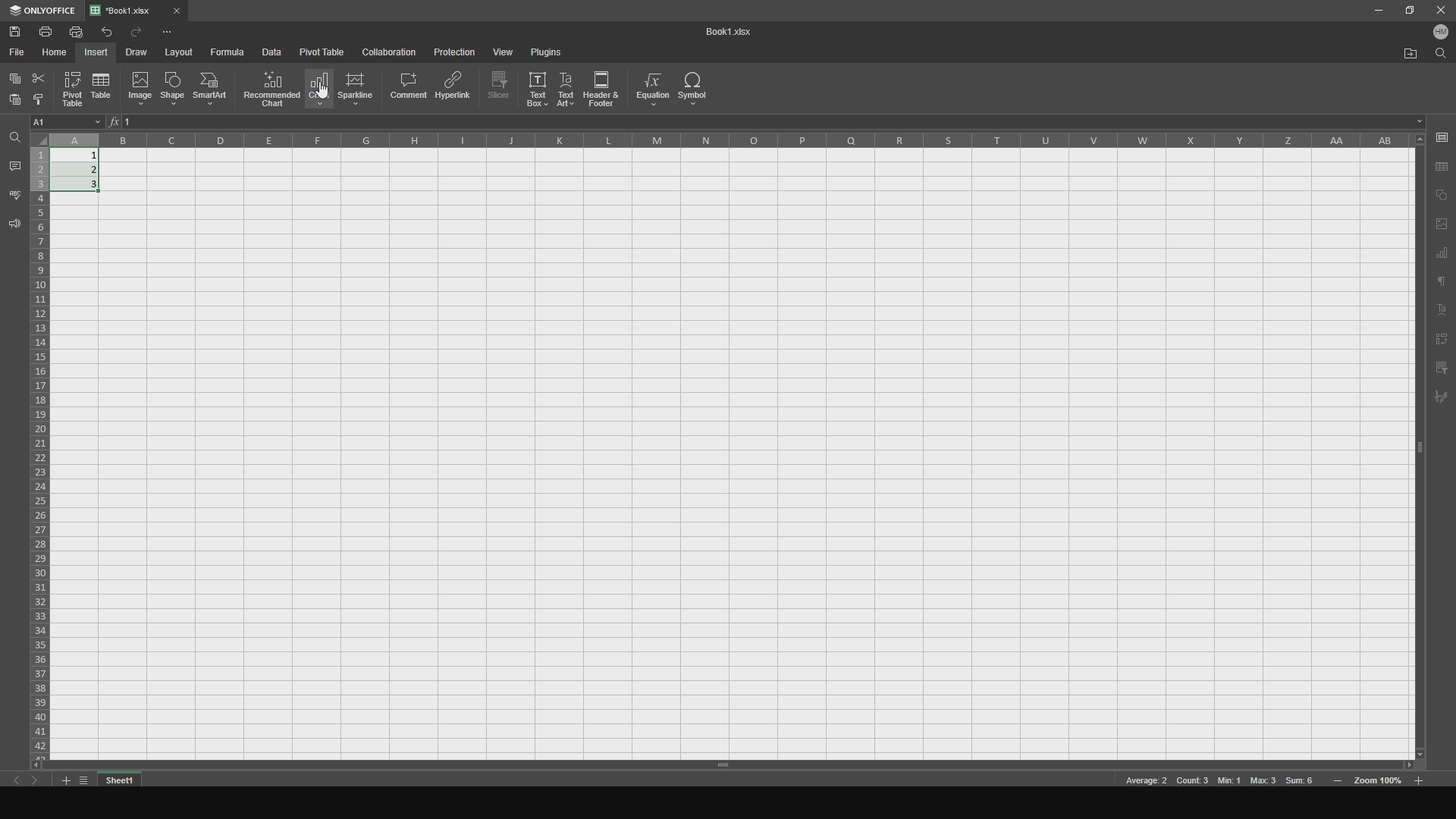 The width and height of the screenshot is (1456, 819). Describe the element at coordinates (1442, 136) in the screenshot. I see `save` at that location.